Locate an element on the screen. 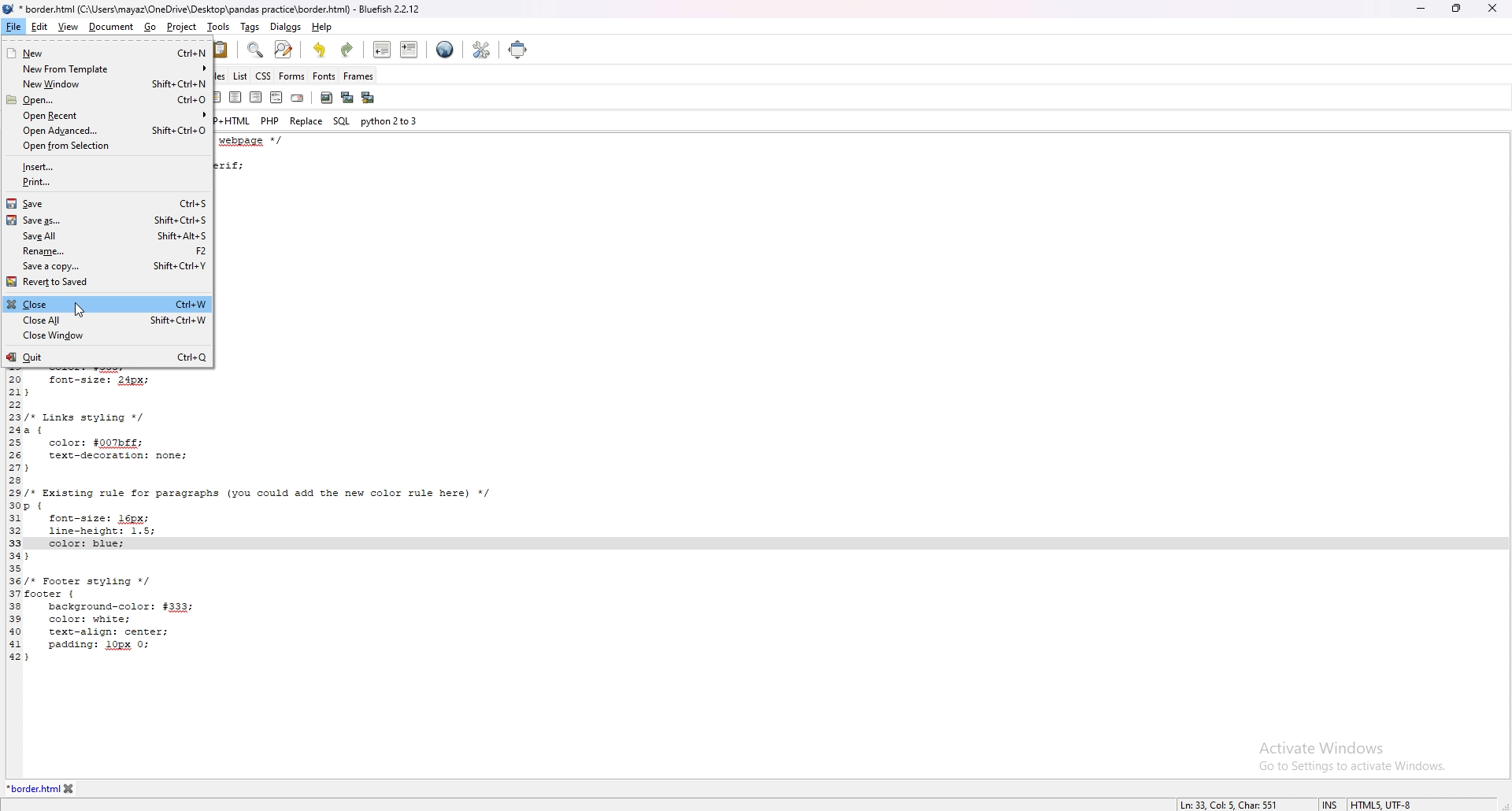 The width and height of the screenshot is (1512, 811). code is located at coordinates (304, 522).